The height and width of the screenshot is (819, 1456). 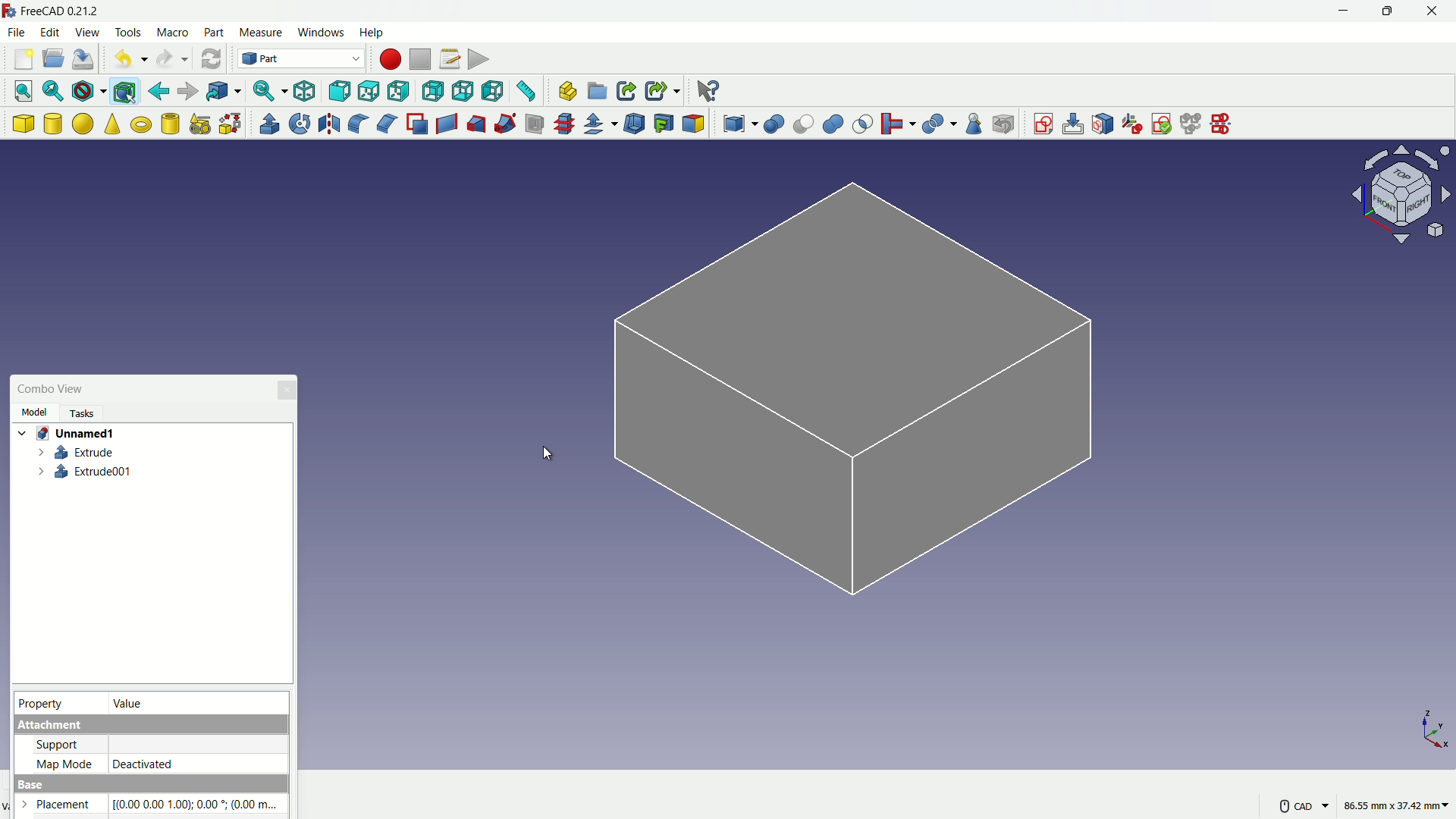 I want to click on mirroring, so click(x=330, y=124).